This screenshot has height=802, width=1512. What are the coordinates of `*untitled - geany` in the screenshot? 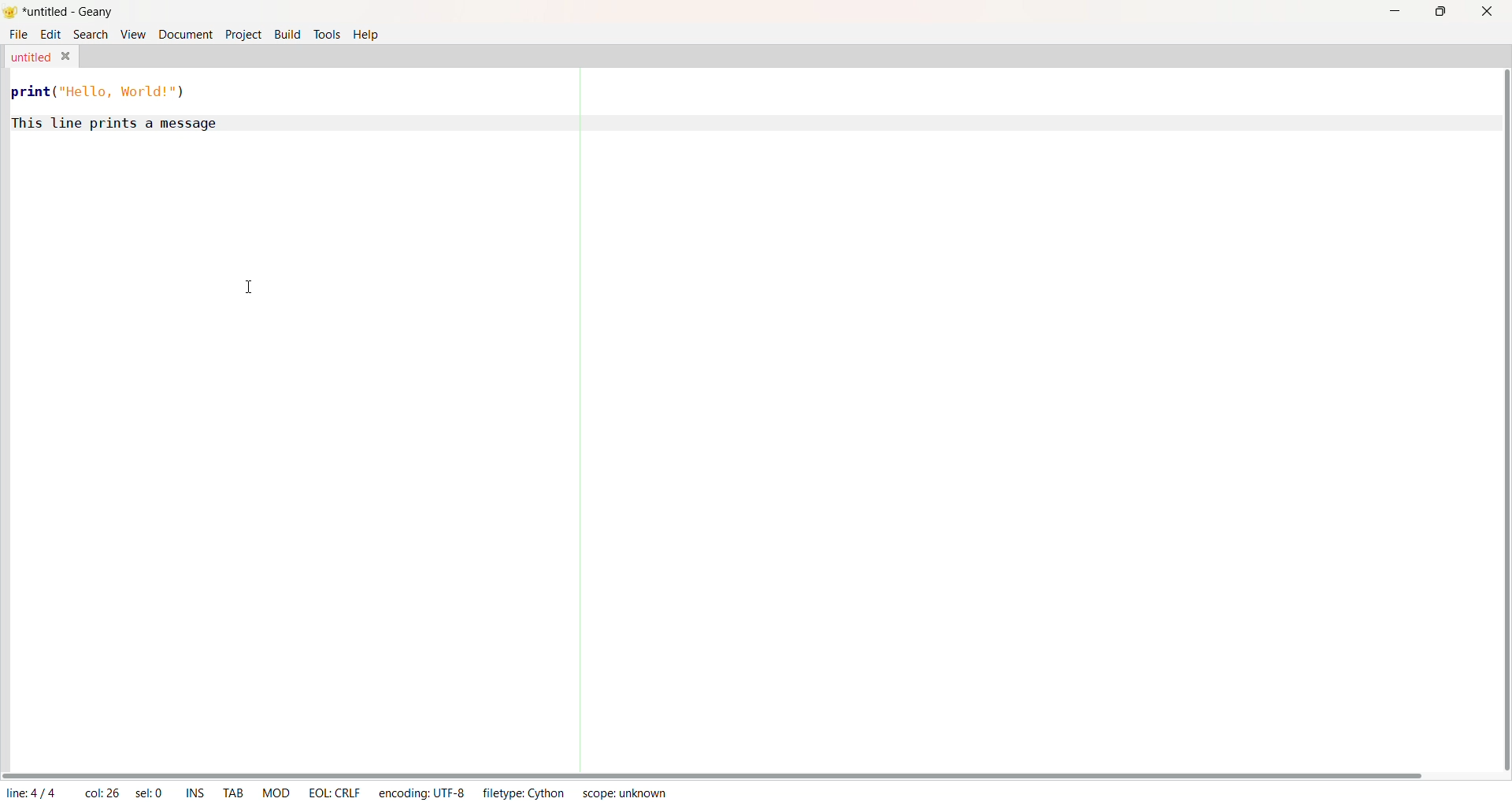 It's located at (72, 12).